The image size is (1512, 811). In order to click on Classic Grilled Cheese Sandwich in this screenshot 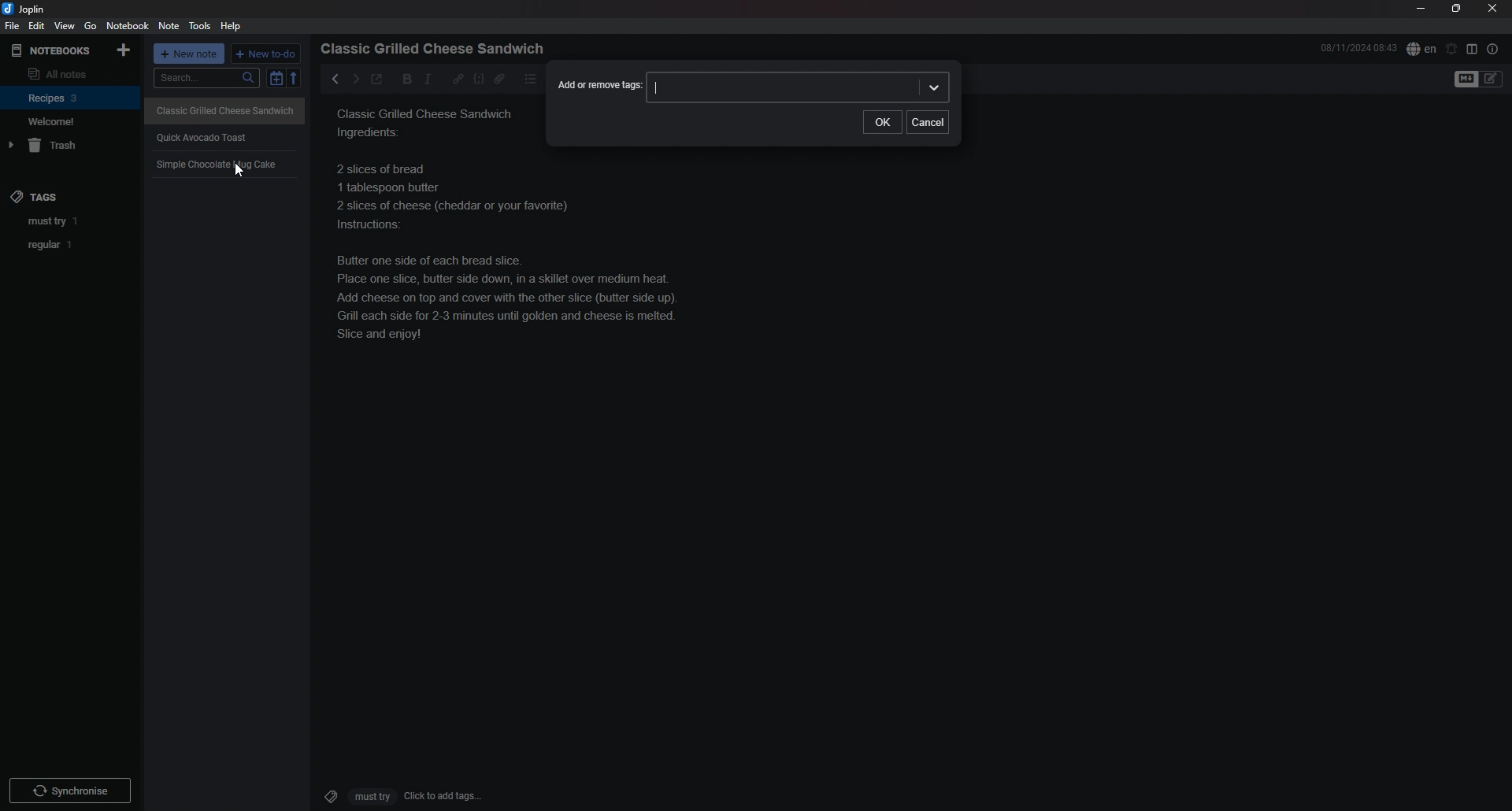, I will do `click(226, 109)`.